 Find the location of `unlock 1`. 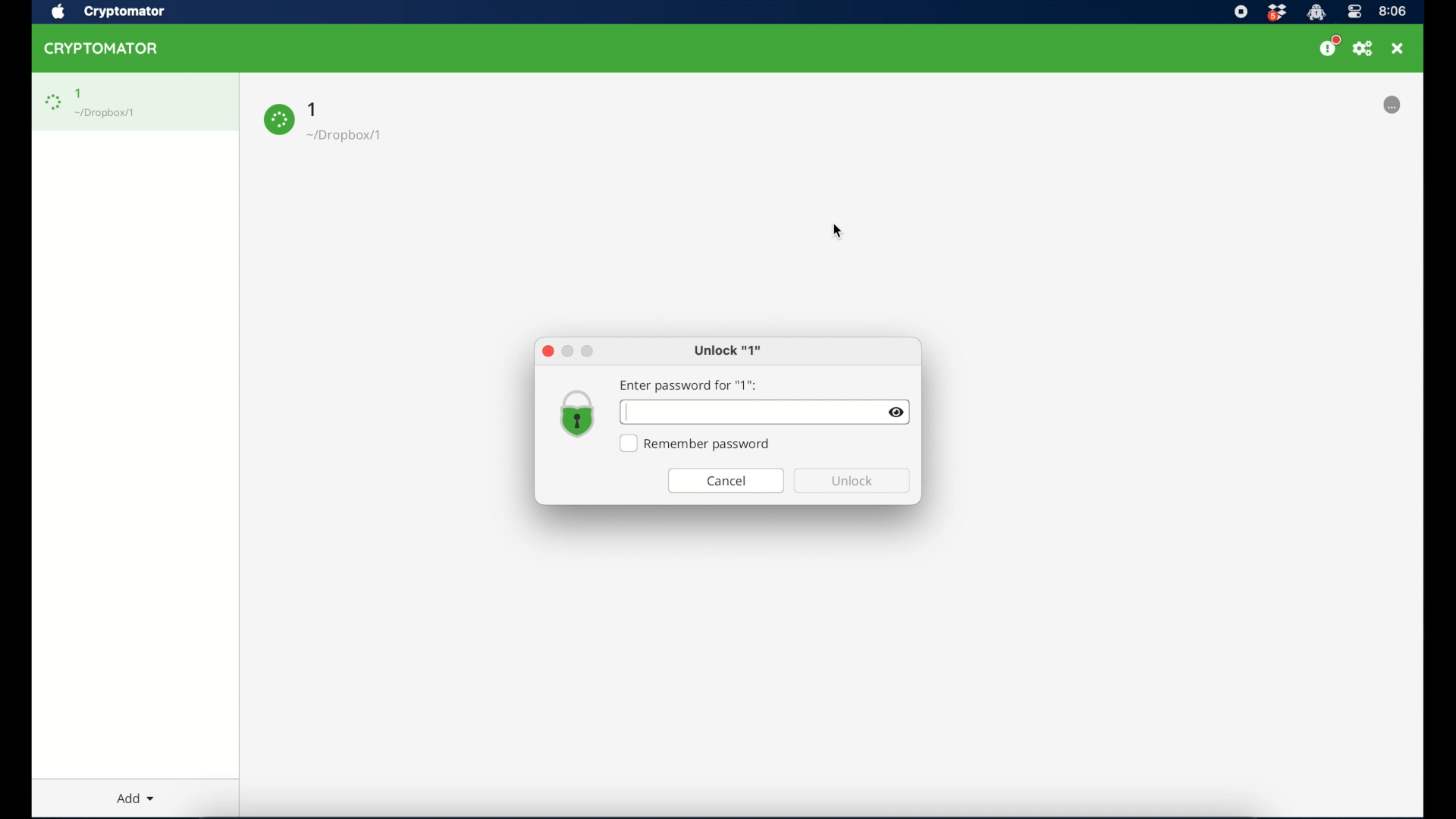

unlock 1 is located at coordinates (728, 351).